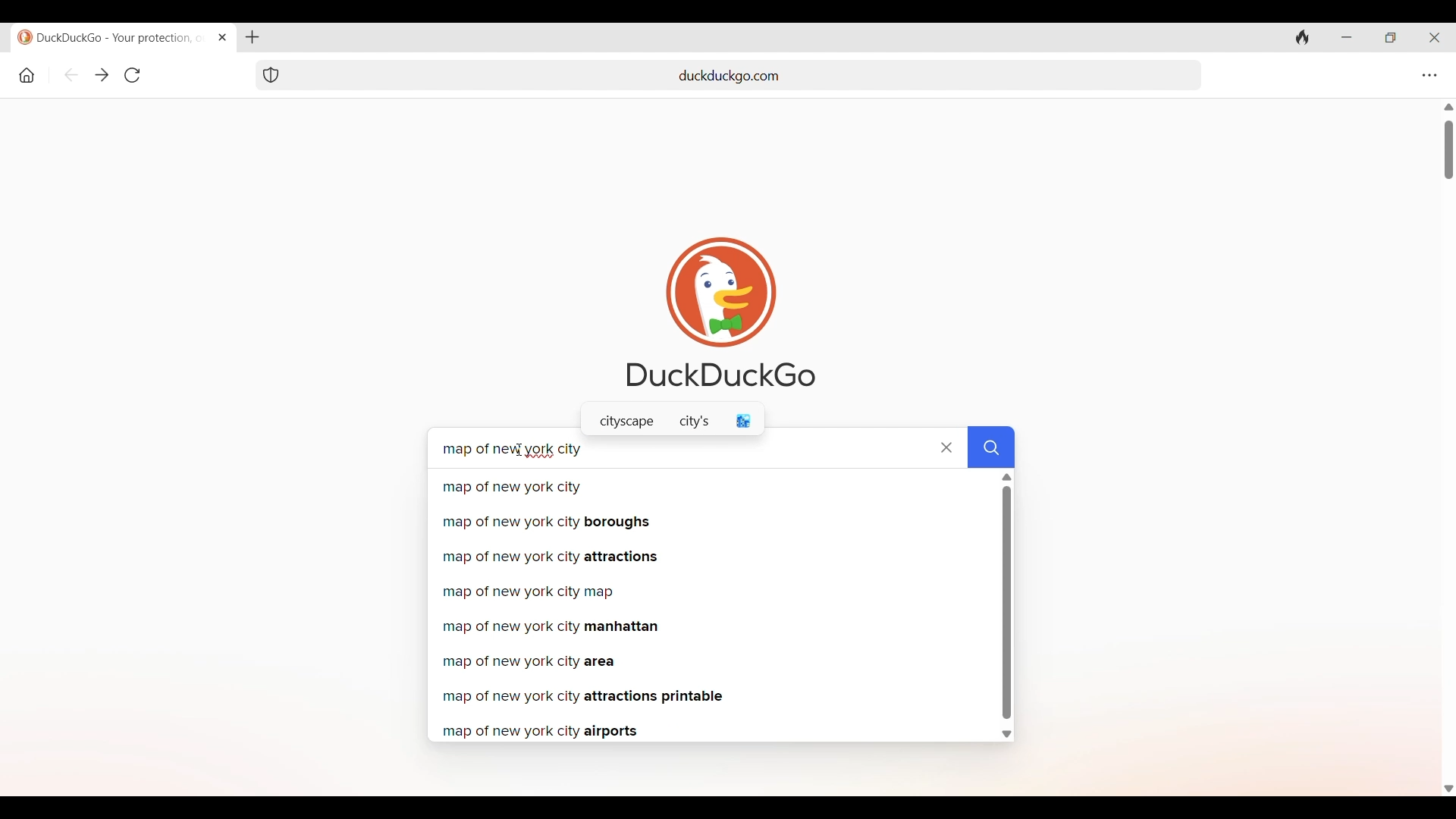 This screenshot has height=819, width=1456. What do you see at coordinates (720, 293) in the screenshot?
I see `Browser logo` at bounding box center [720, 293].